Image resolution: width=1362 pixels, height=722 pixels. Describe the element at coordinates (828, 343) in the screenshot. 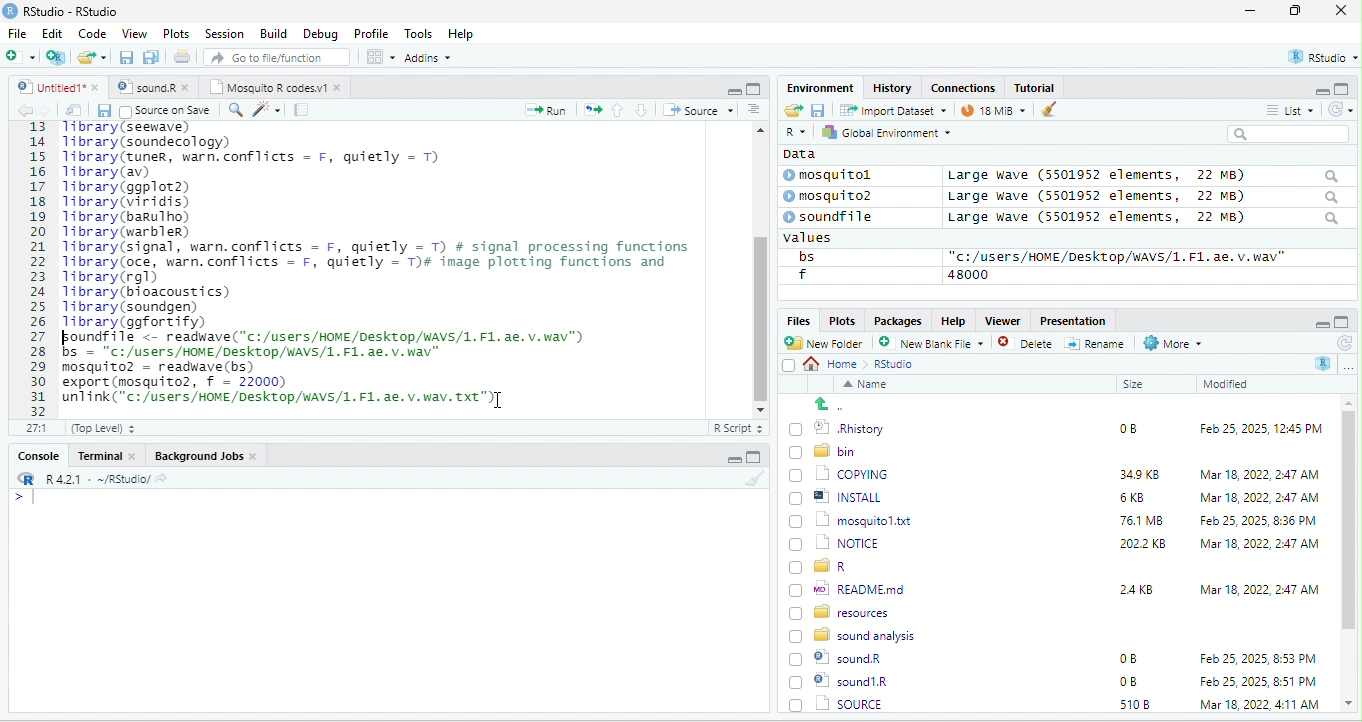

I see `New Folder` at that location.